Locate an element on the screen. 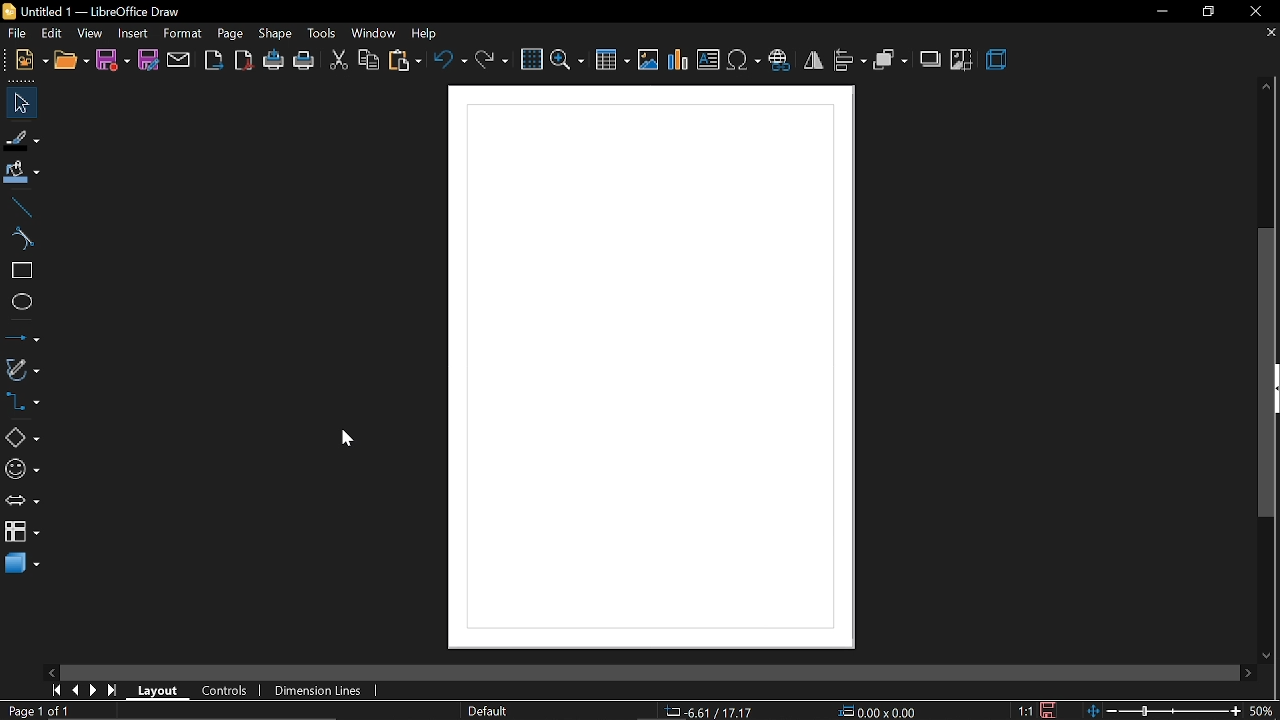 This screenshot has width=1280, height=720. grid is located at coordinates (530, 60).